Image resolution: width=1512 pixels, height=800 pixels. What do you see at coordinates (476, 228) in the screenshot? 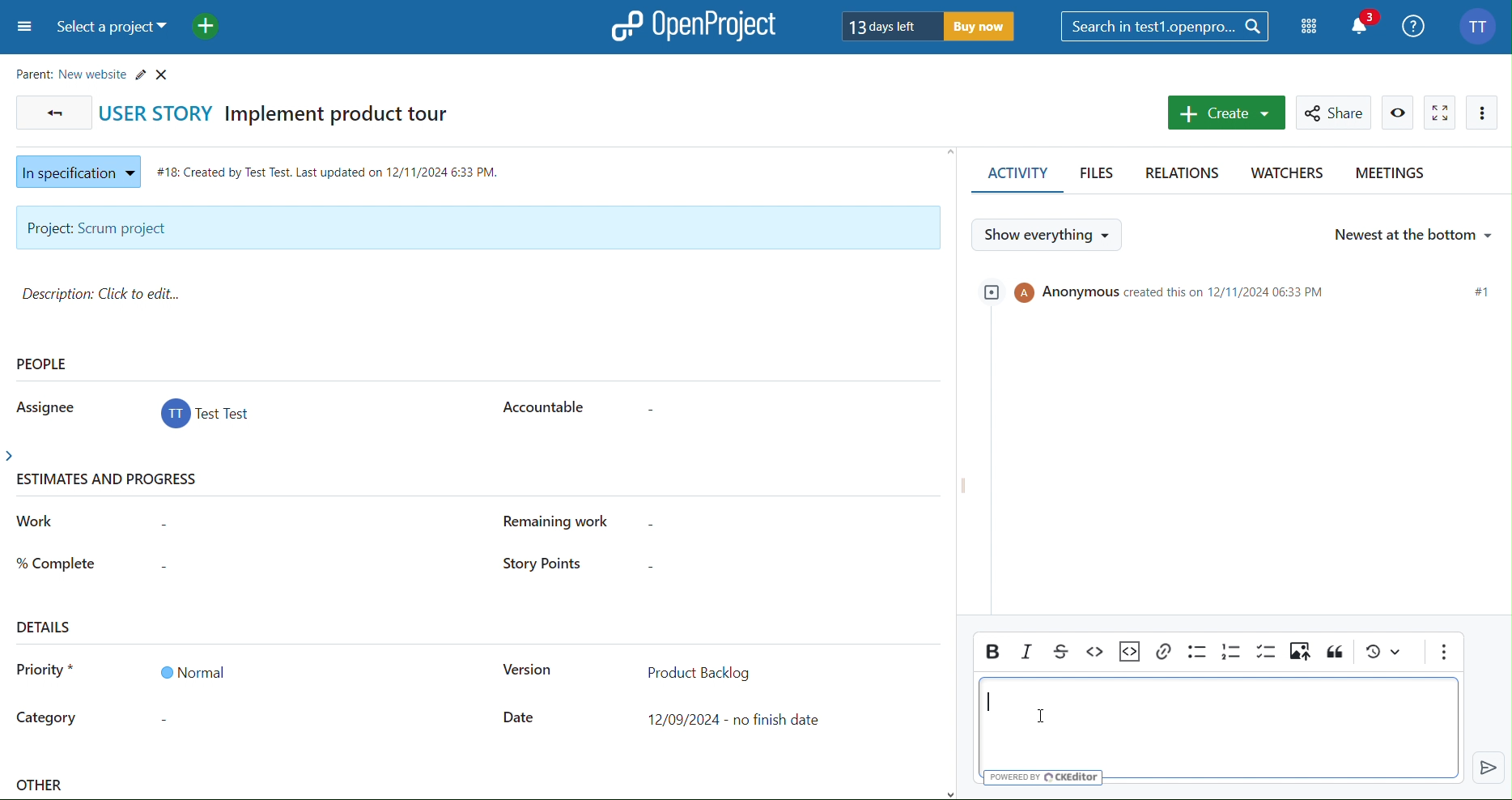
I see `Project: Scrum project` at bounding box center [476, 228].